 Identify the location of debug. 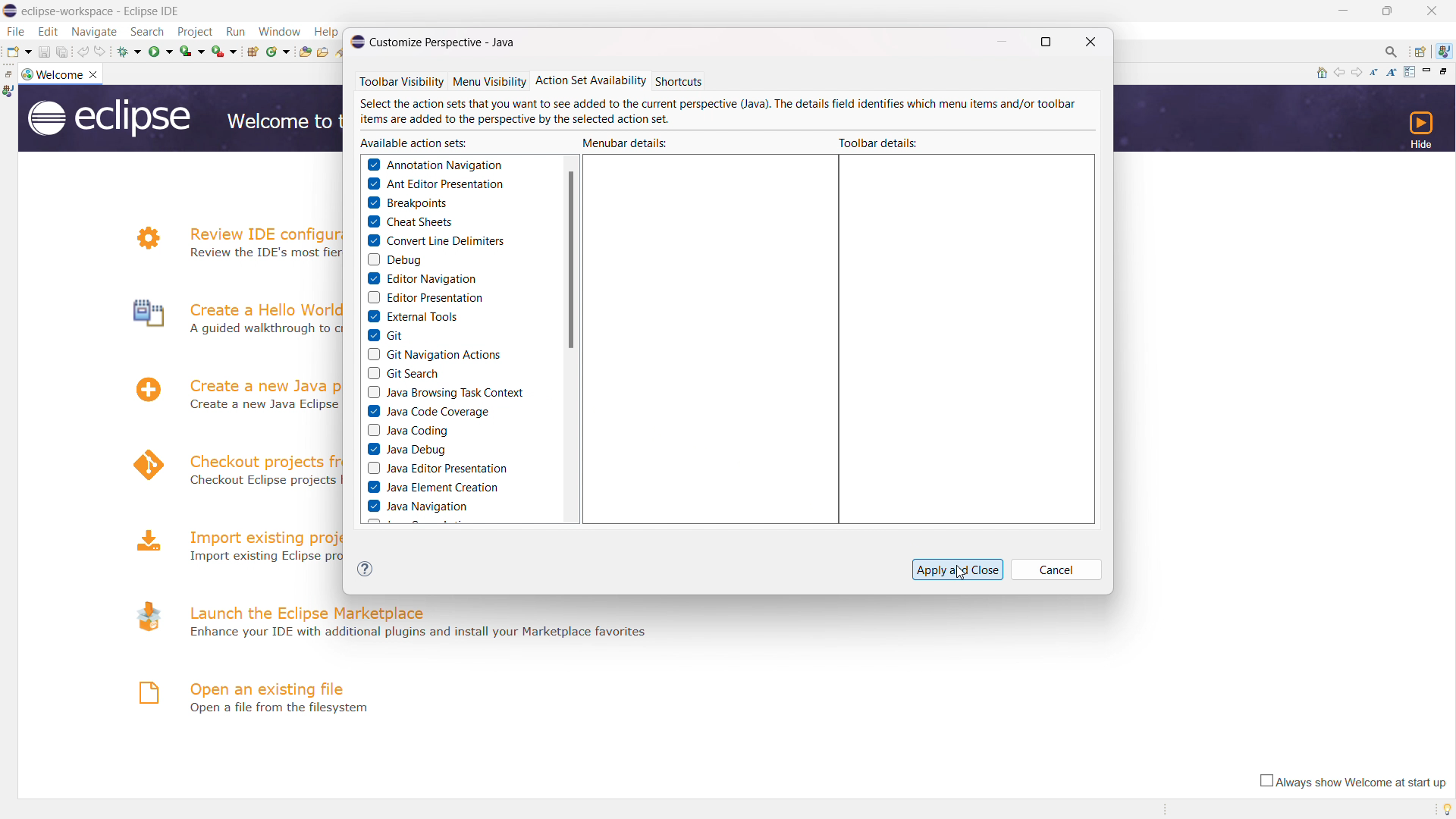
(394, 259).